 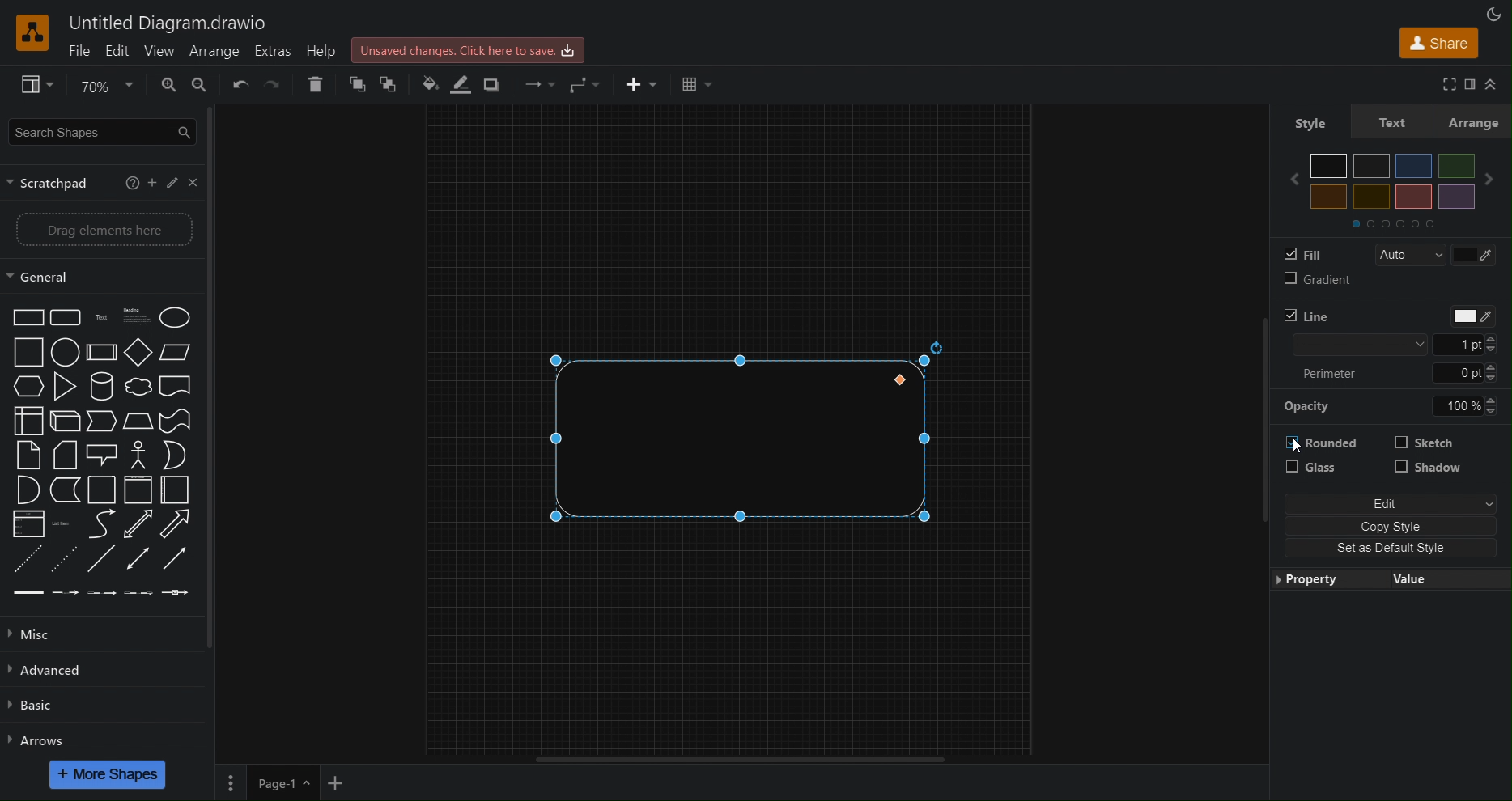 What do you see at coordinates (52, 184) in the screenshot?
I see `Scratchpad` at bounding box center [52, 184].